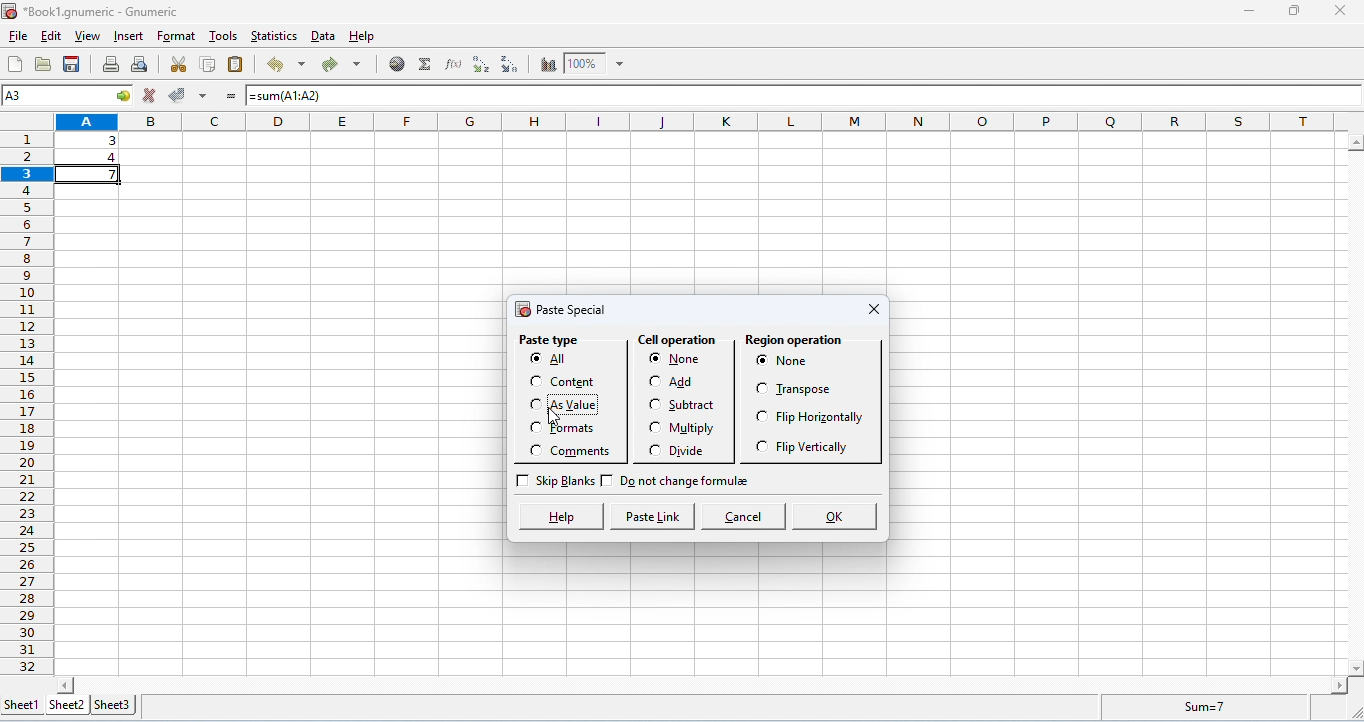  Describe the element at coordinates (231, 99) in the screenshot. I see `=` at that location.